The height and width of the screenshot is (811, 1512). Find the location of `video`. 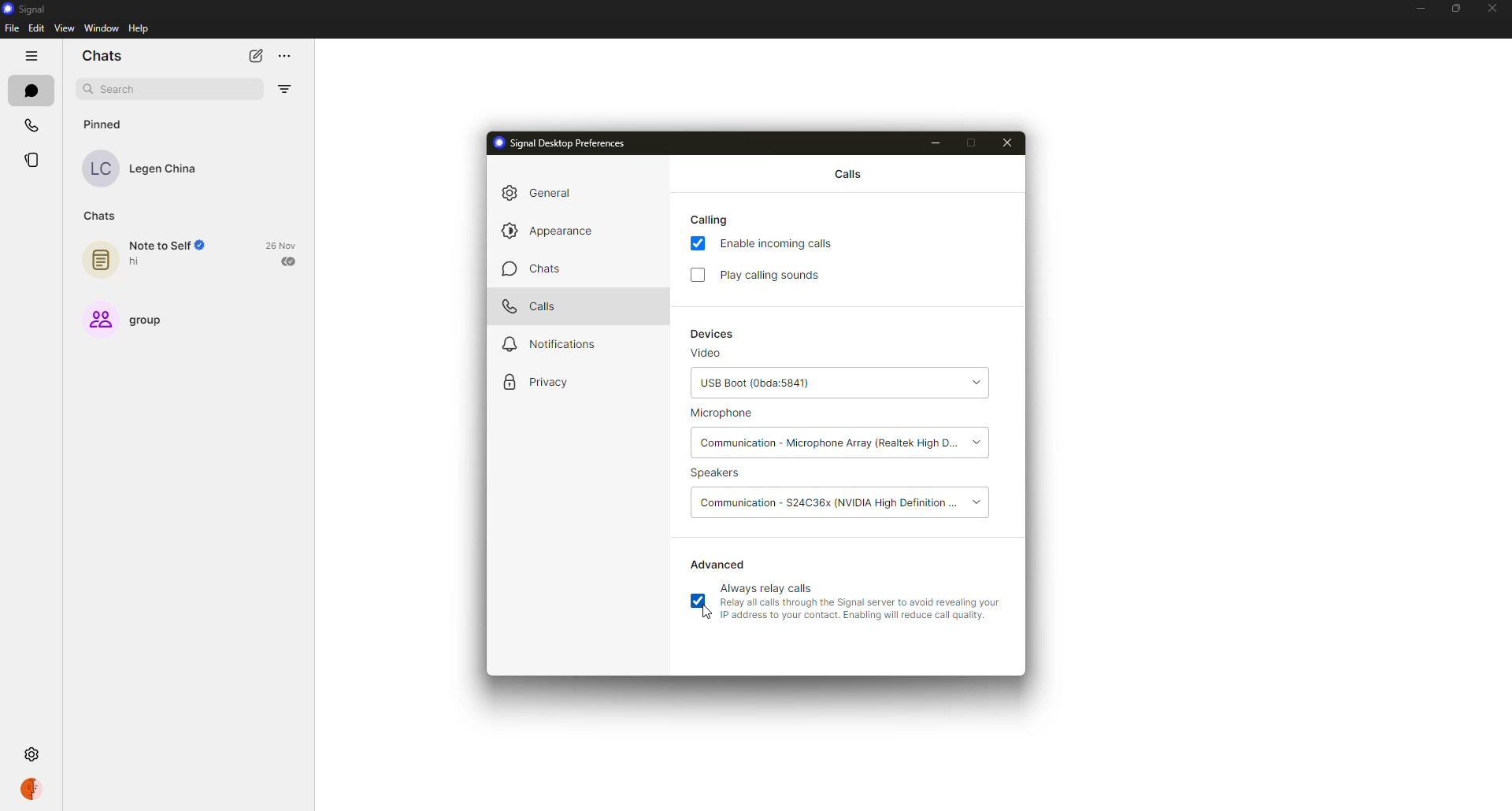

video is located at coordinates (705, 355).